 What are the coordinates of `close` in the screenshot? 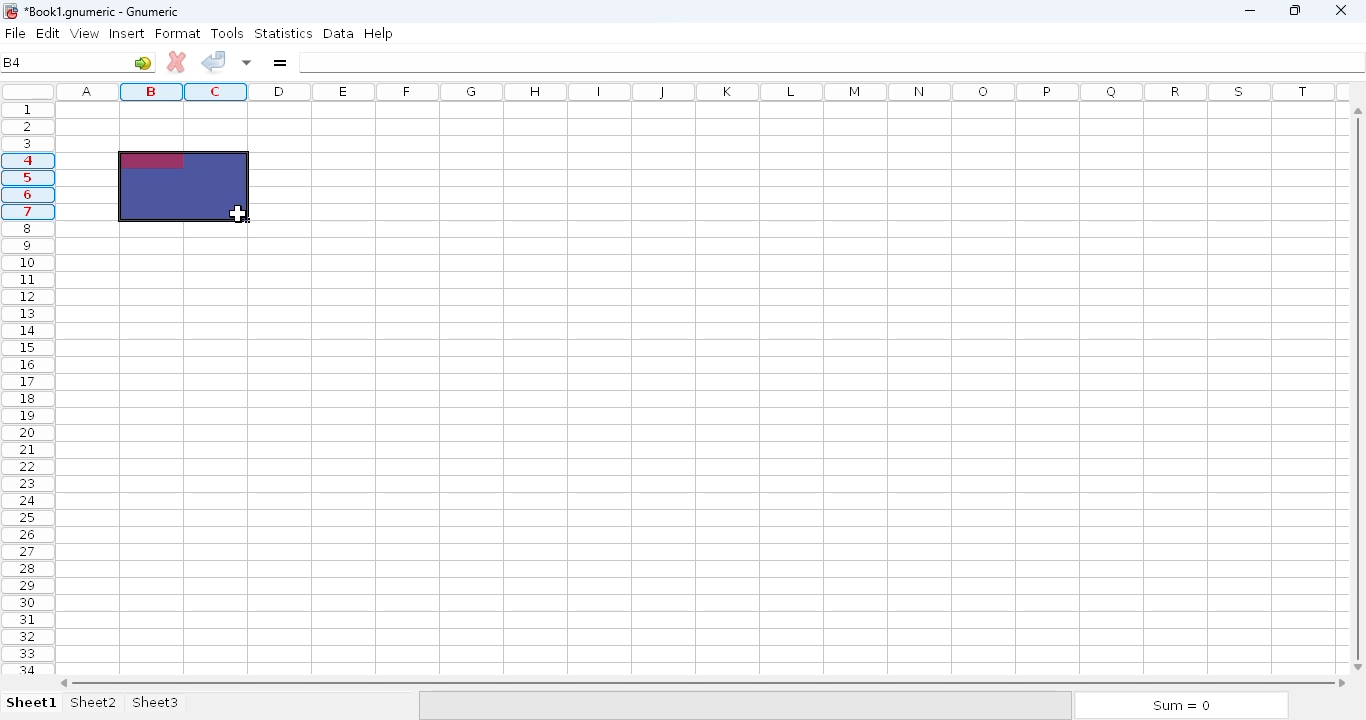 It's located at (1341, 17).